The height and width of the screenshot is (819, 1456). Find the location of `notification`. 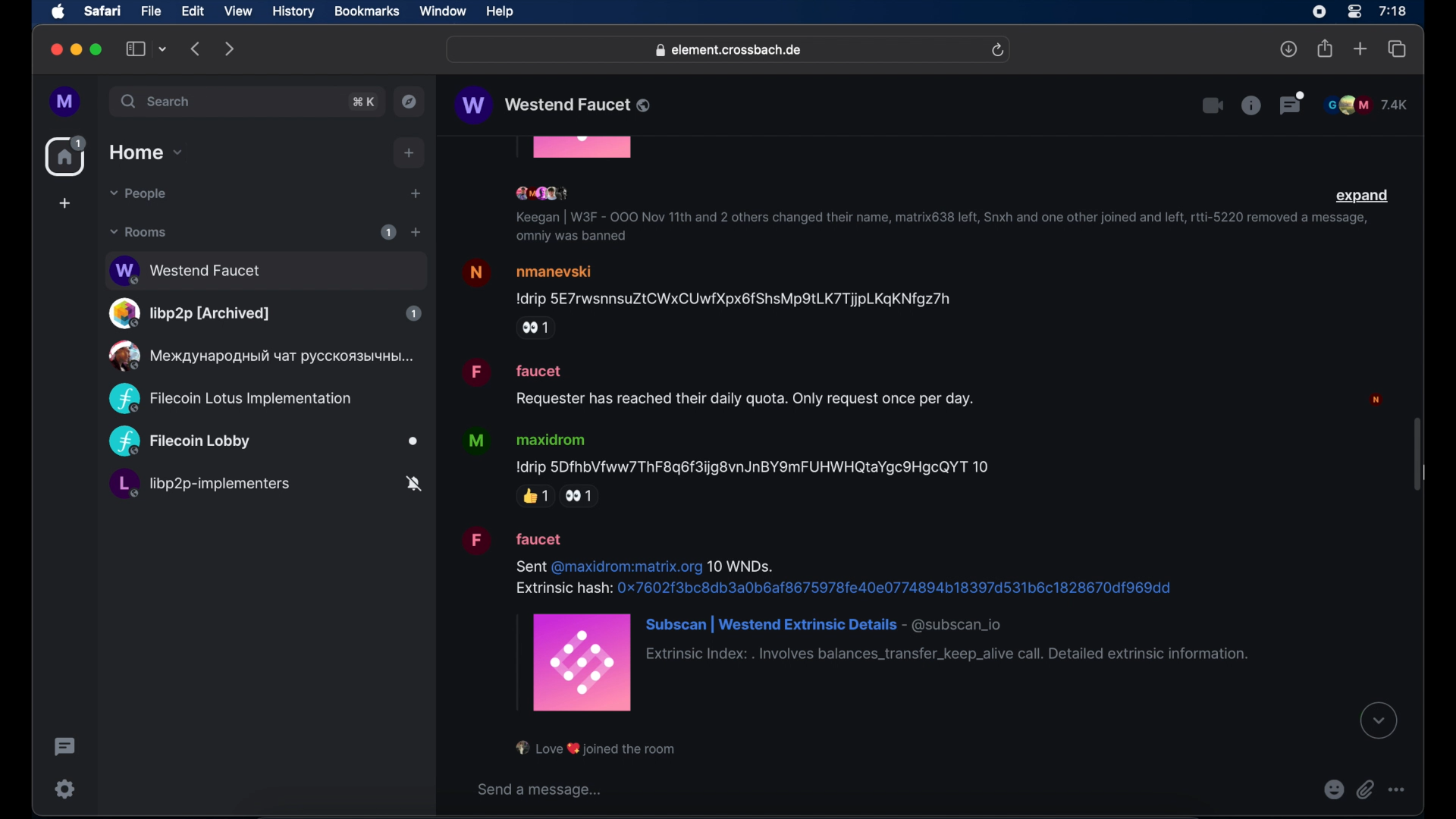

notification is located at coordinates (597, 748).